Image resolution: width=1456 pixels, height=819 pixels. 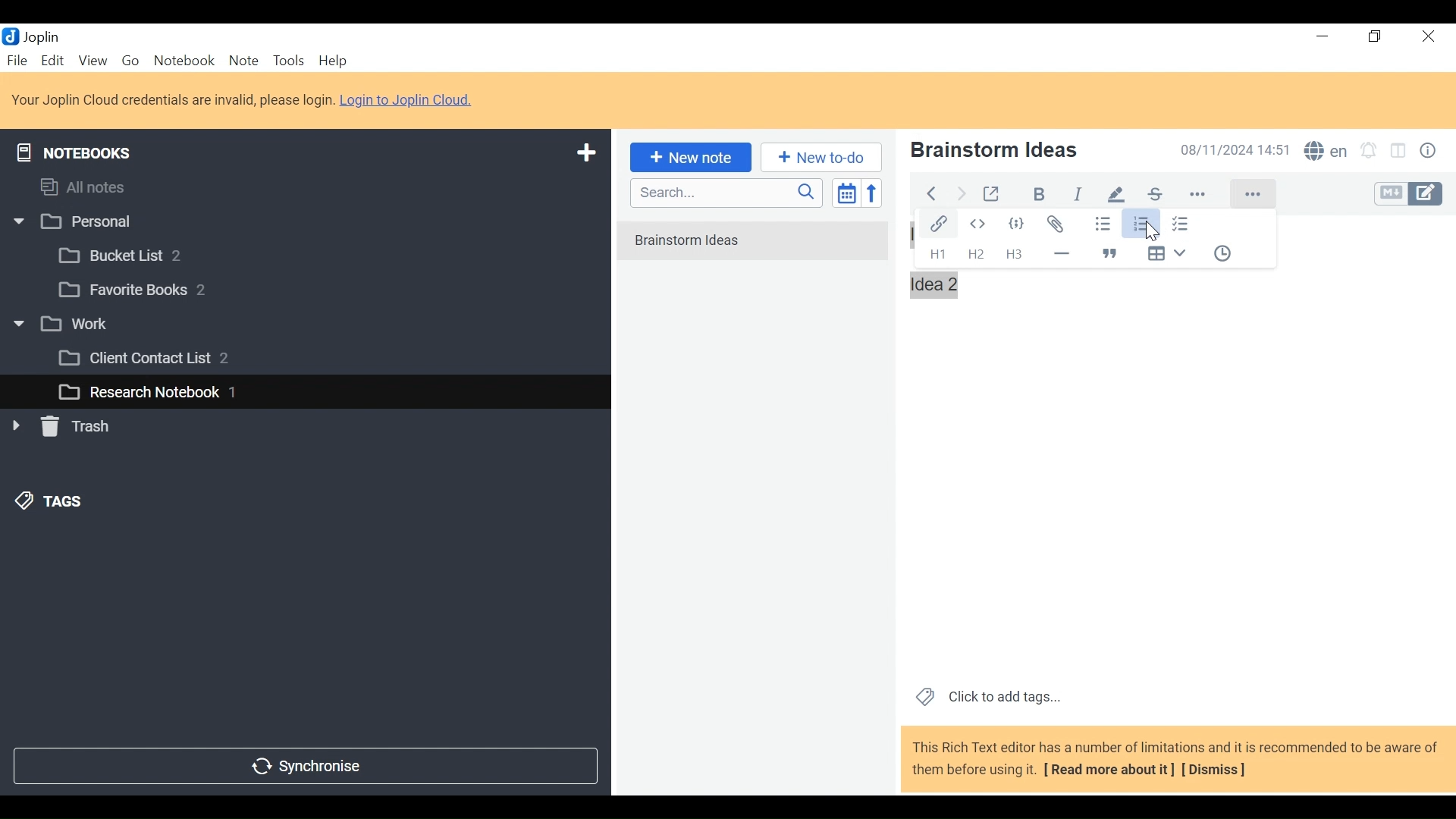 What do you see at coordinates (1163, 253) in the screenshot?
I see `Insert Table` at bounding box center [1163, 253].